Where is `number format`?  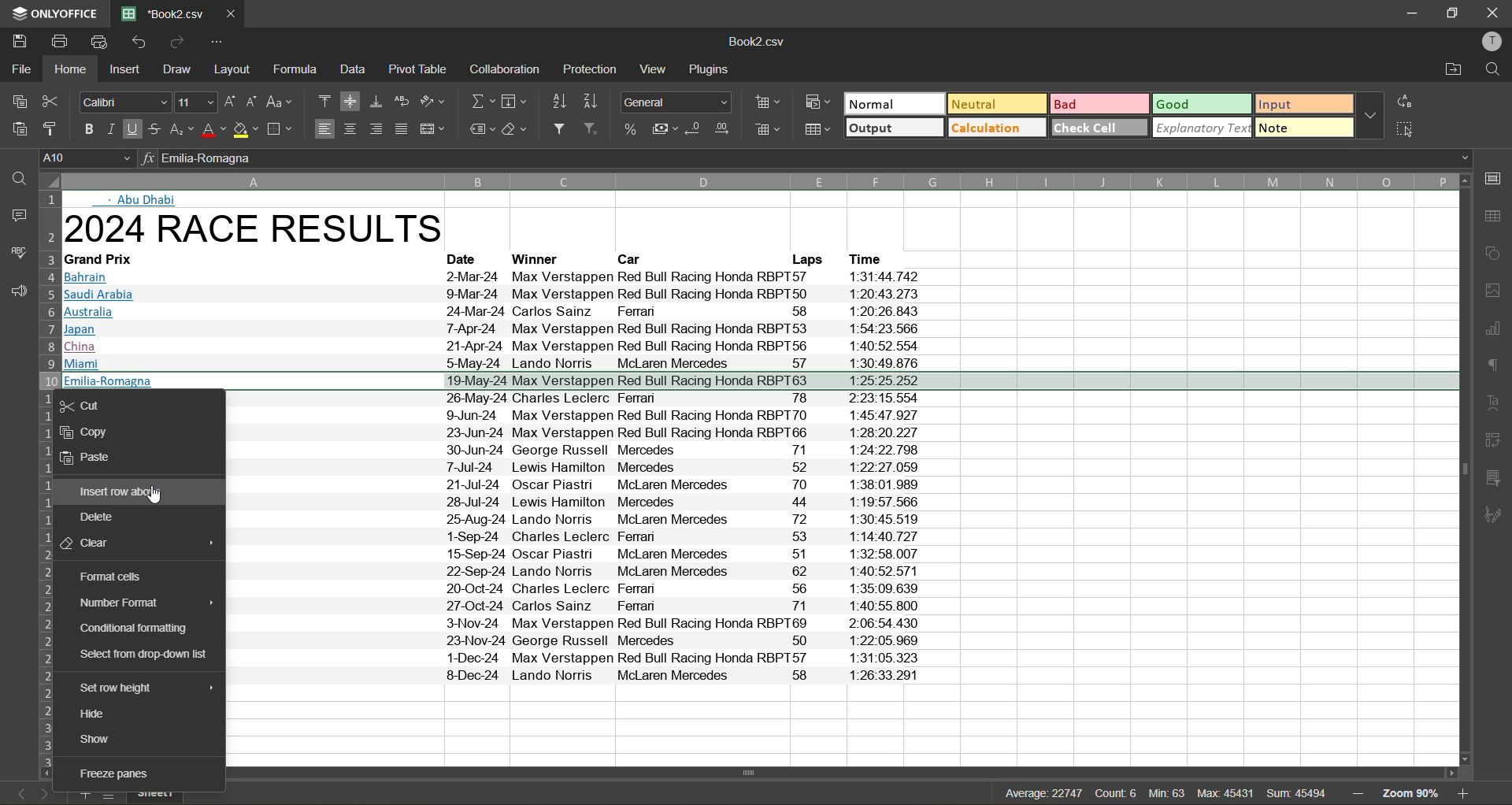
number format is located at coordinates (141, 602).